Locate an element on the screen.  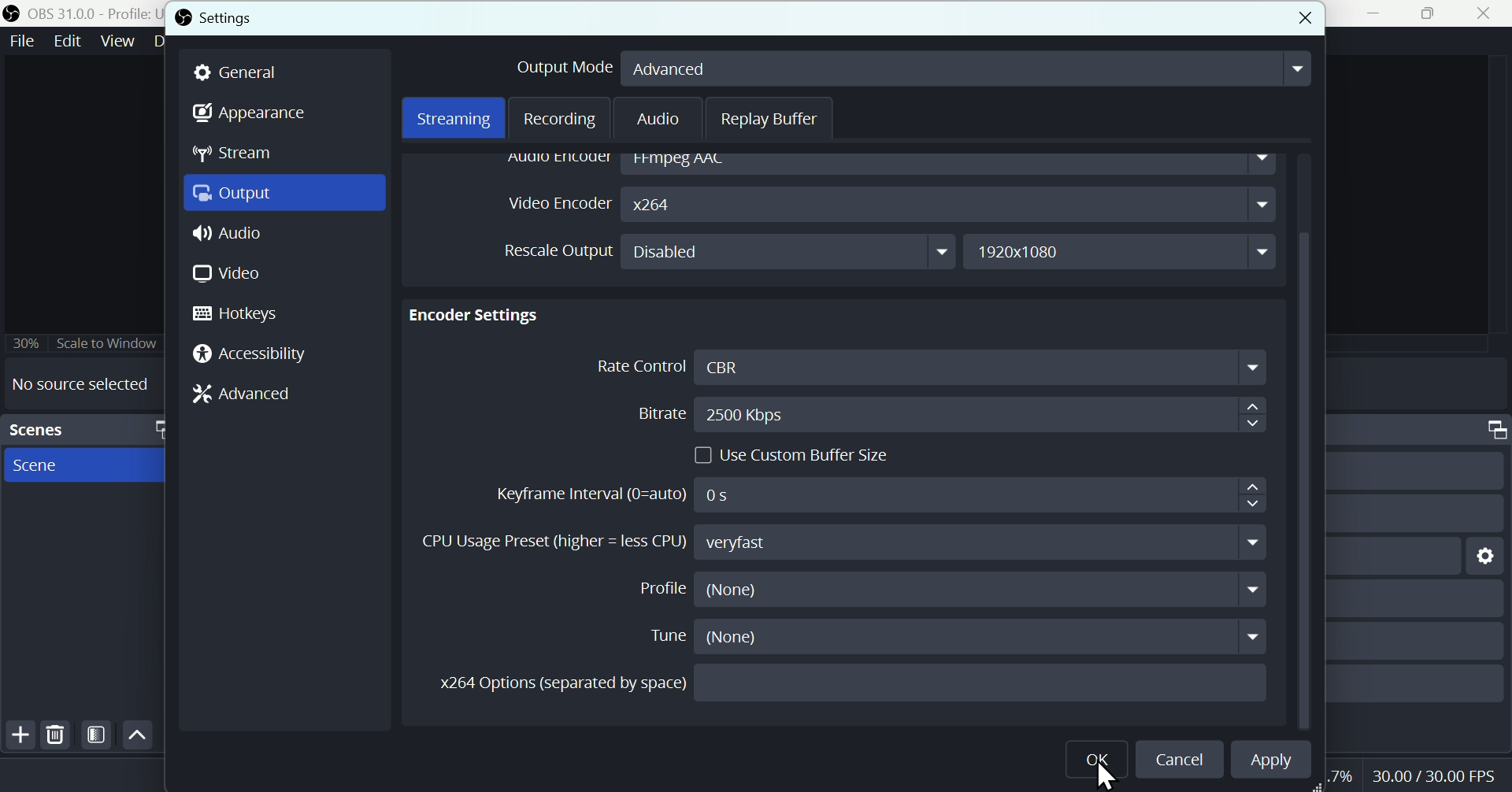
Video Encoder is located at coordinates (888, 205).